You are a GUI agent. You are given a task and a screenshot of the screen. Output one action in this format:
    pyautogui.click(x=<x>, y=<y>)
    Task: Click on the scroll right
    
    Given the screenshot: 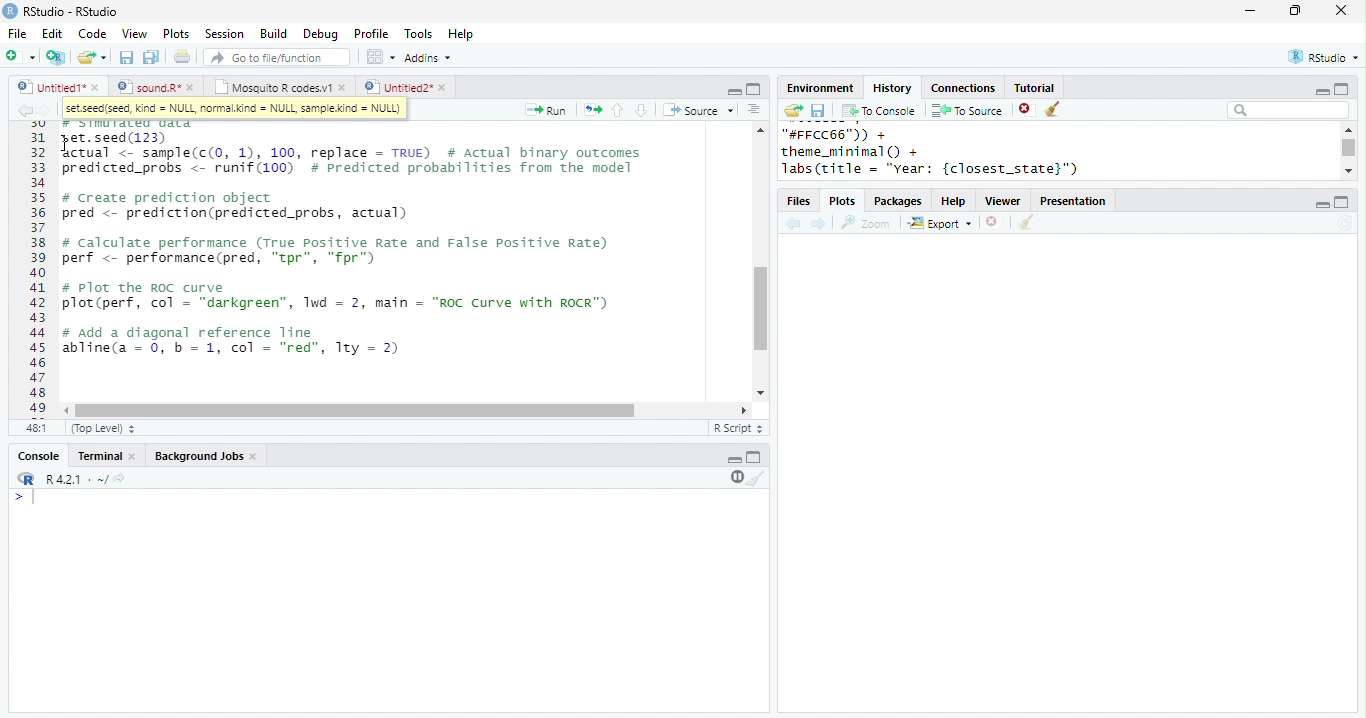 What is the action you would take?
    pyautogui.click(x=740, y=410)
    